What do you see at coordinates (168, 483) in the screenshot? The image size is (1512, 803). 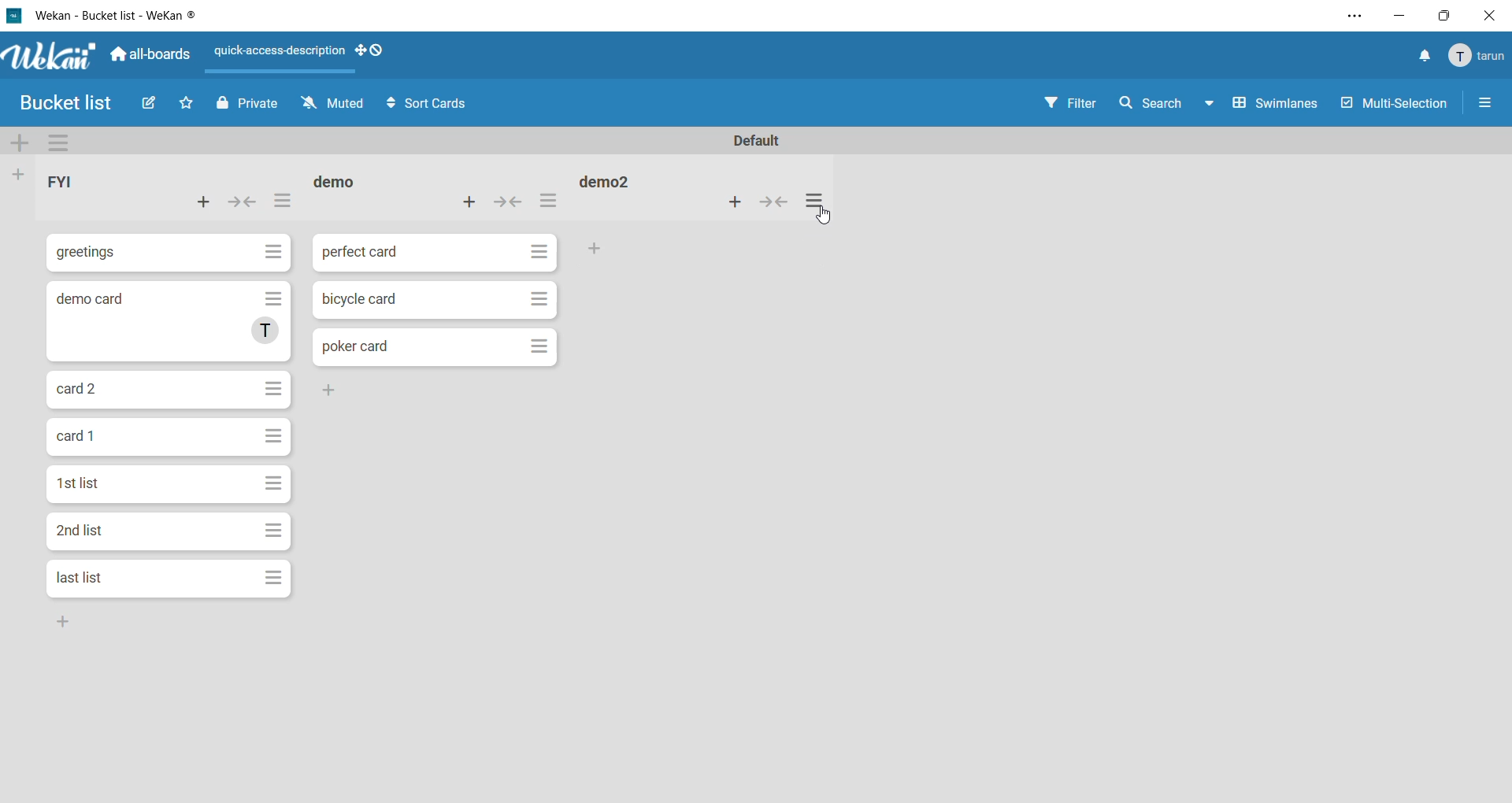 I see `cards` at bounding box center [168, 483].